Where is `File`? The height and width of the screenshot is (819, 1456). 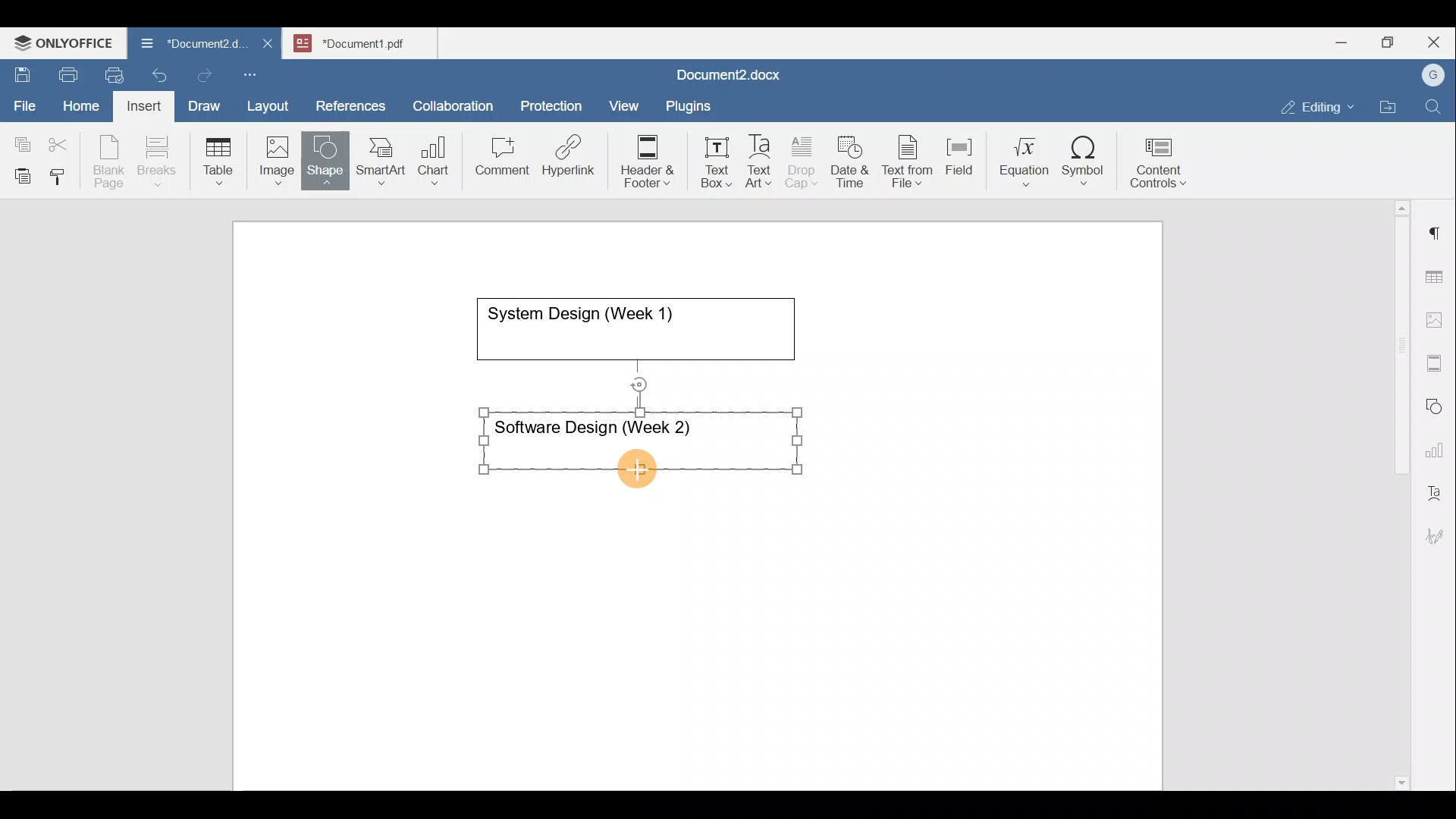
File is located at coordinates (26, 101).